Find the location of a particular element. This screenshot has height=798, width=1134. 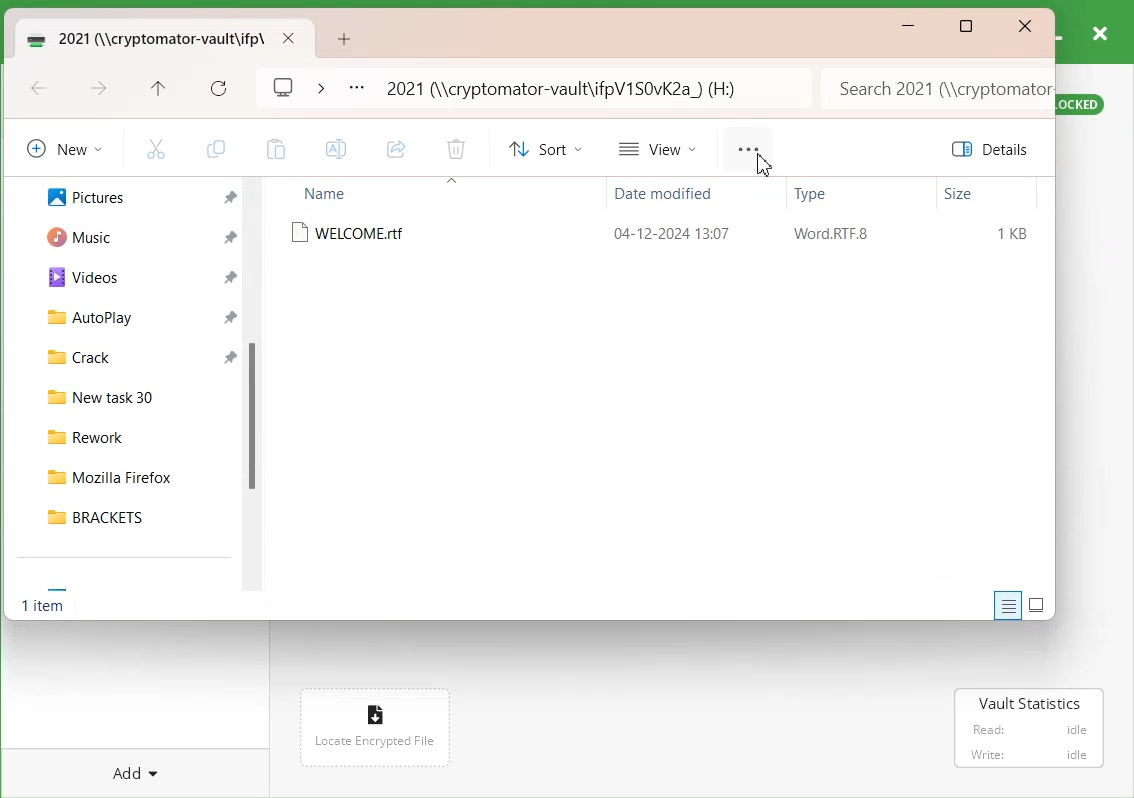

Path Address is located at coordinates (568, 88).